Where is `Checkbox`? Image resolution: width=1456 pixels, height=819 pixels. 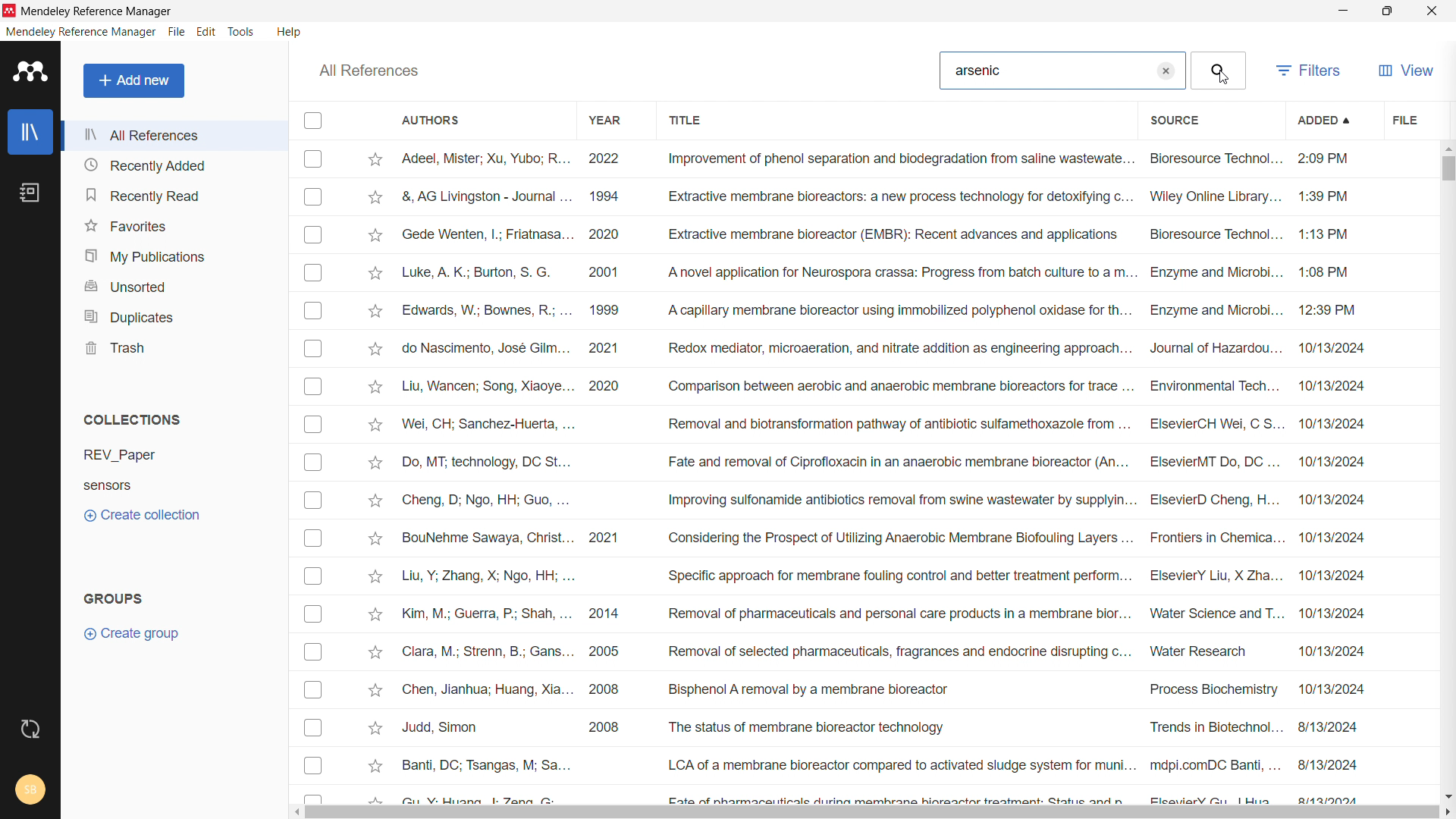 Checkbox is located at coordinates (314, 272).